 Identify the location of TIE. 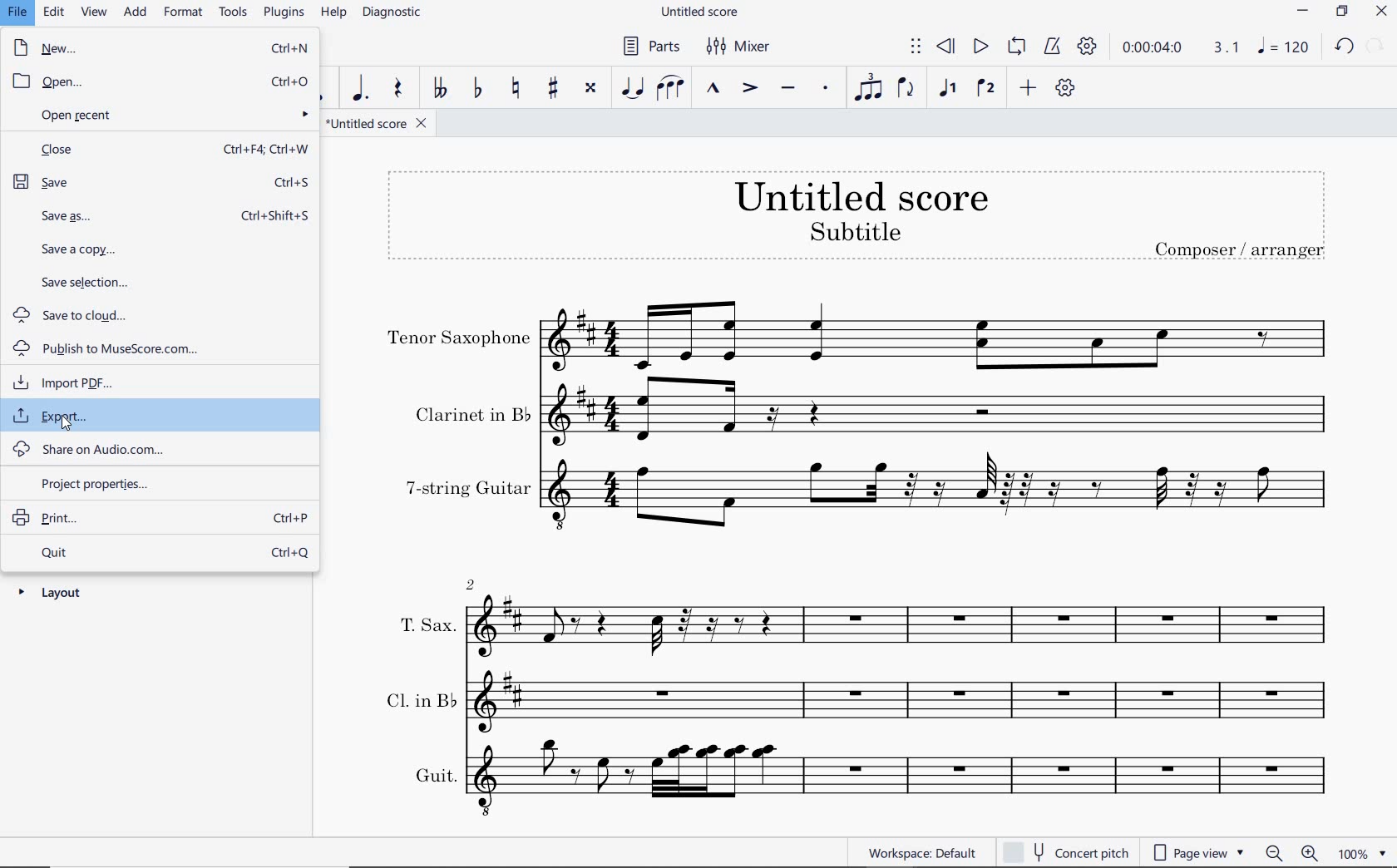
(629, 87).